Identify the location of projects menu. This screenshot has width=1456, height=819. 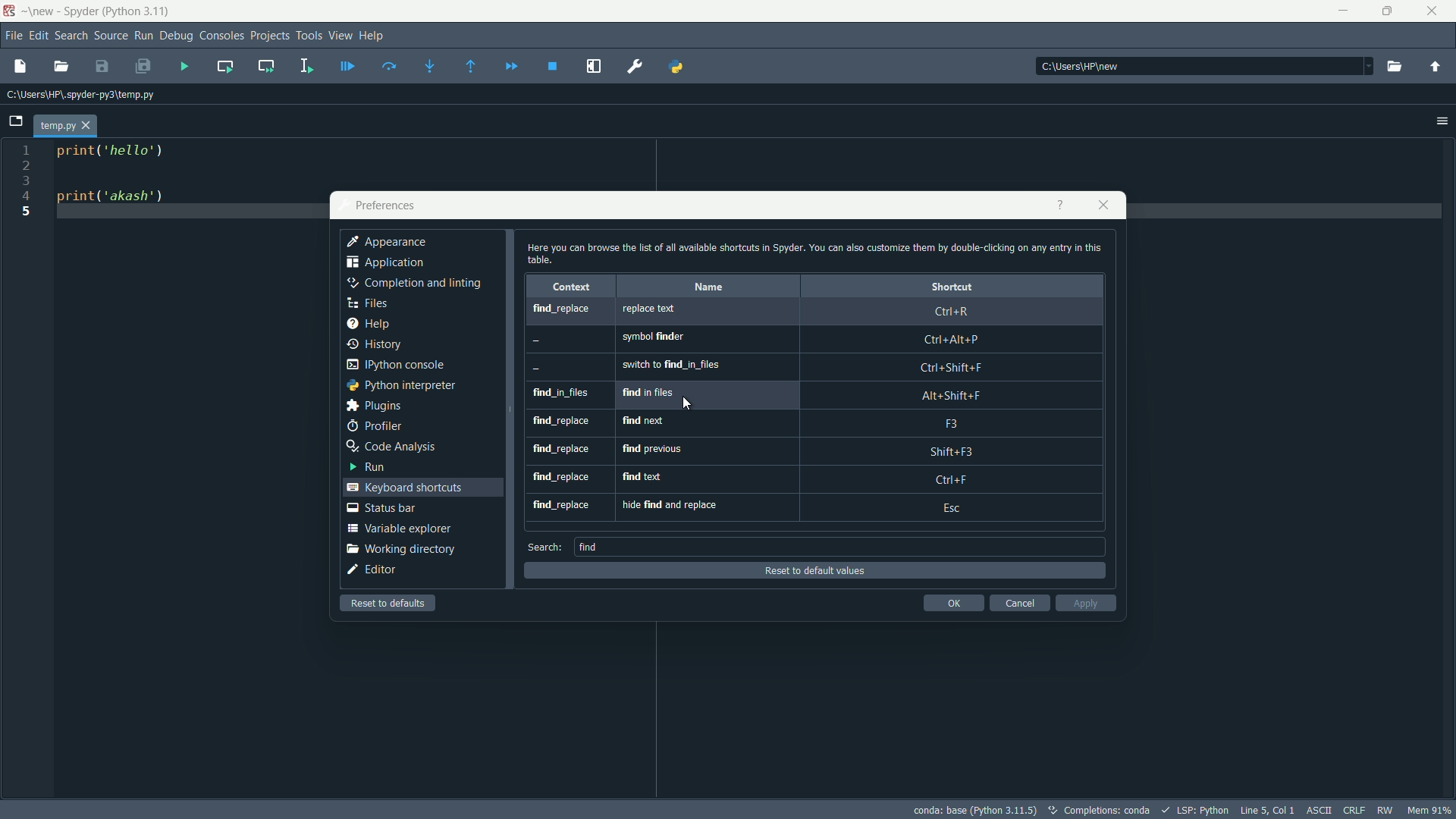
(265, 36).